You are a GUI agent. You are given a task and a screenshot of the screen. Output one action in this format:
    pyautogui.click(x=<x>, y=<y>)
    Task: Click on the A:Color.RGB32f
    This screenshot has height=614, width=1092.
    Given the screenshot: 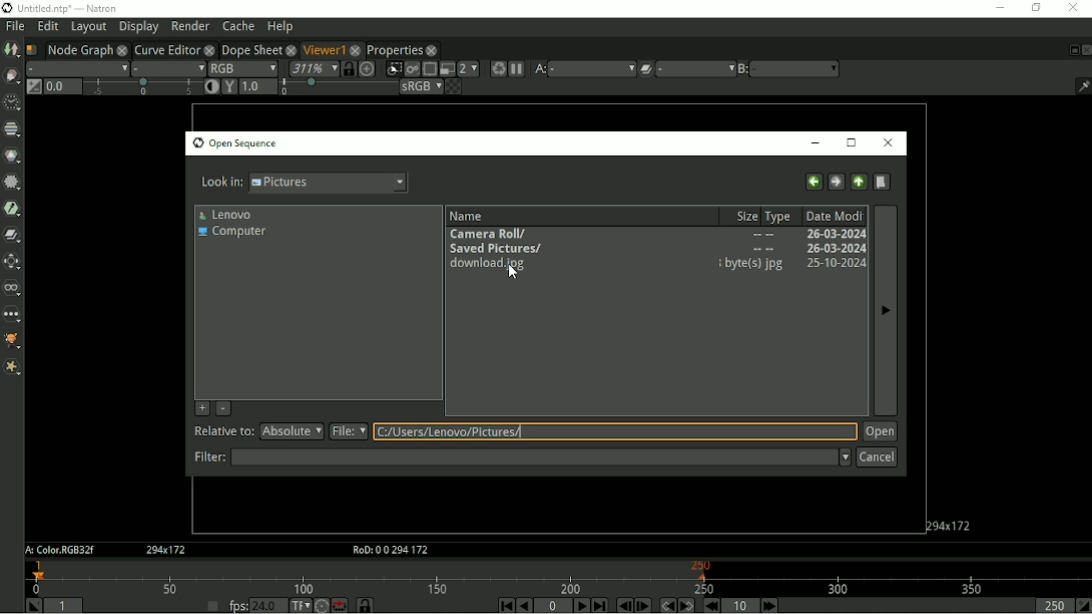 What is the action you would take?
    pyautogui.click(x=58, y=551)
    